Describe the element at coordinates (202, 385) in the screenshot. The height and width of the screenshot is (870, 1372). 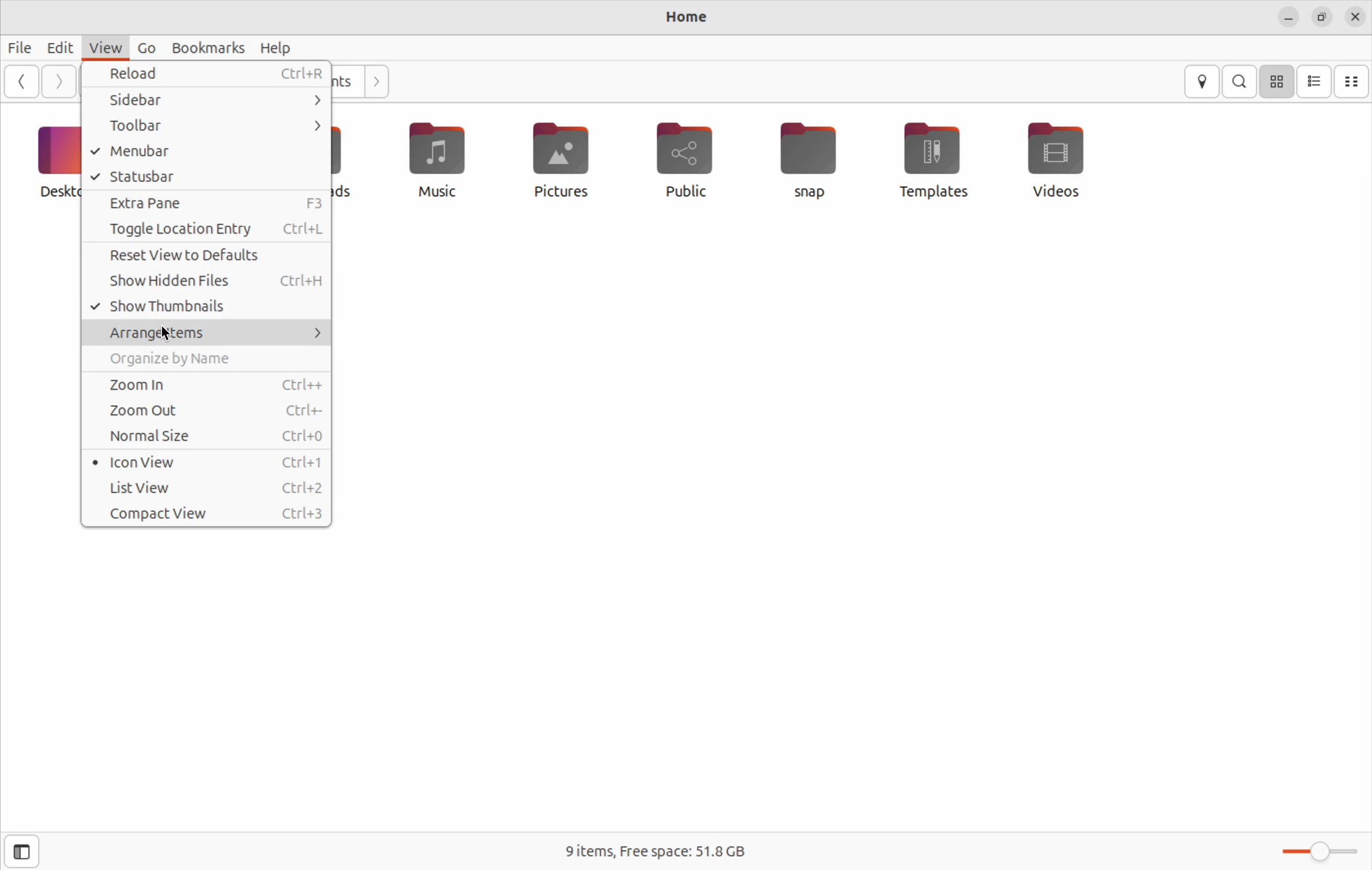
I see `zoom in` at that location.